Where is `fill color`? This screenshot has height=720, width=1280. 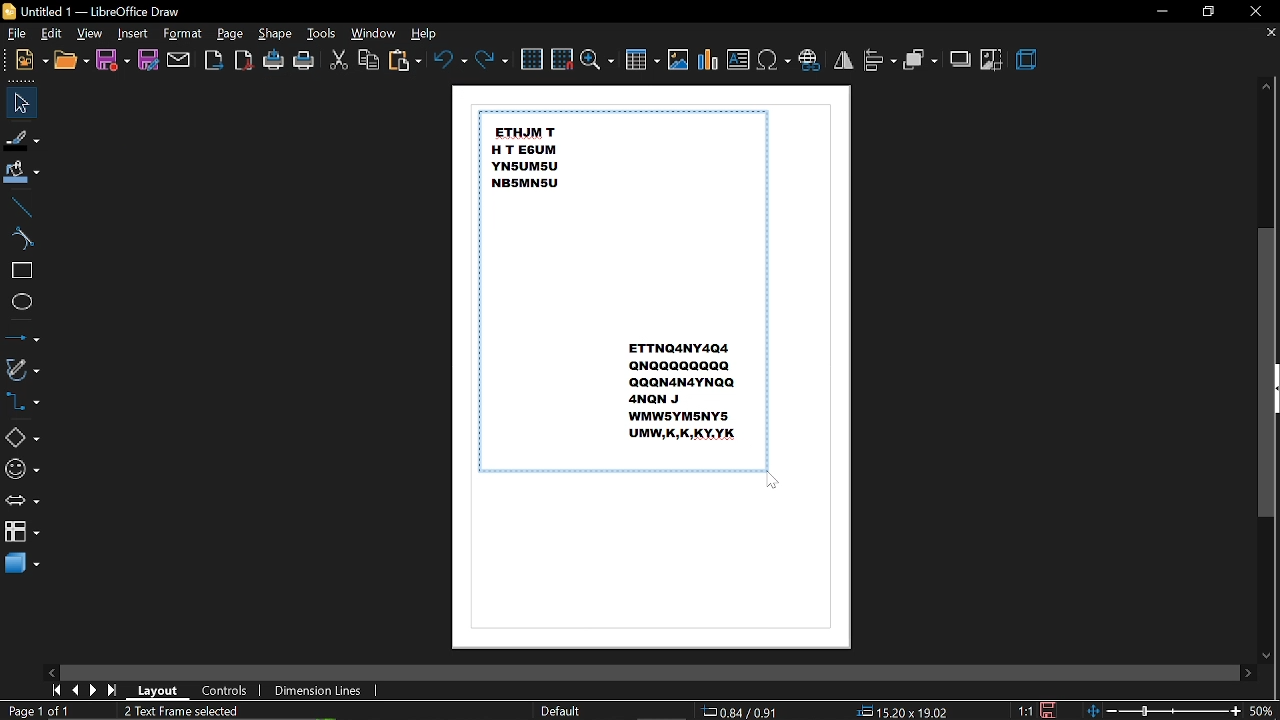
fill color is located at coordinates (24, 173).